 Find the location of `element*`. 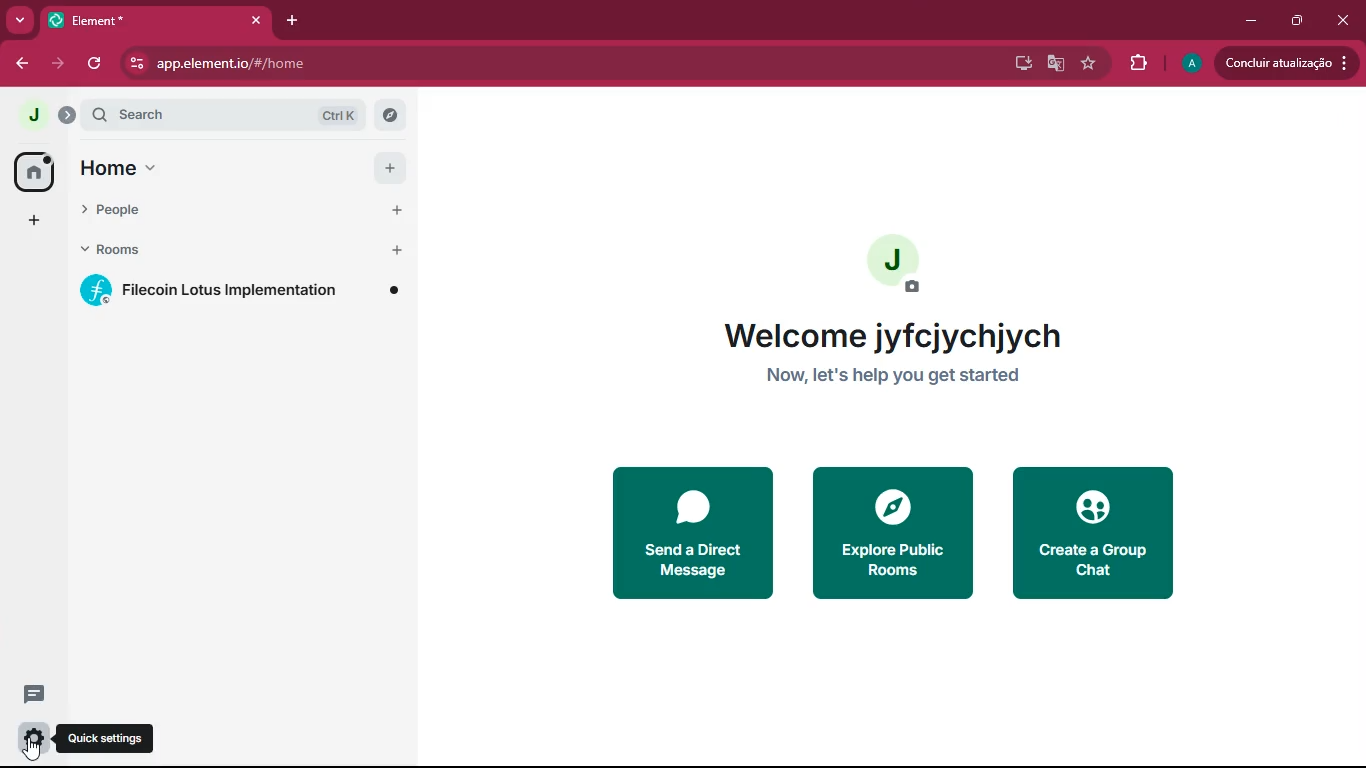

element* is located at coordinates (90, 19).